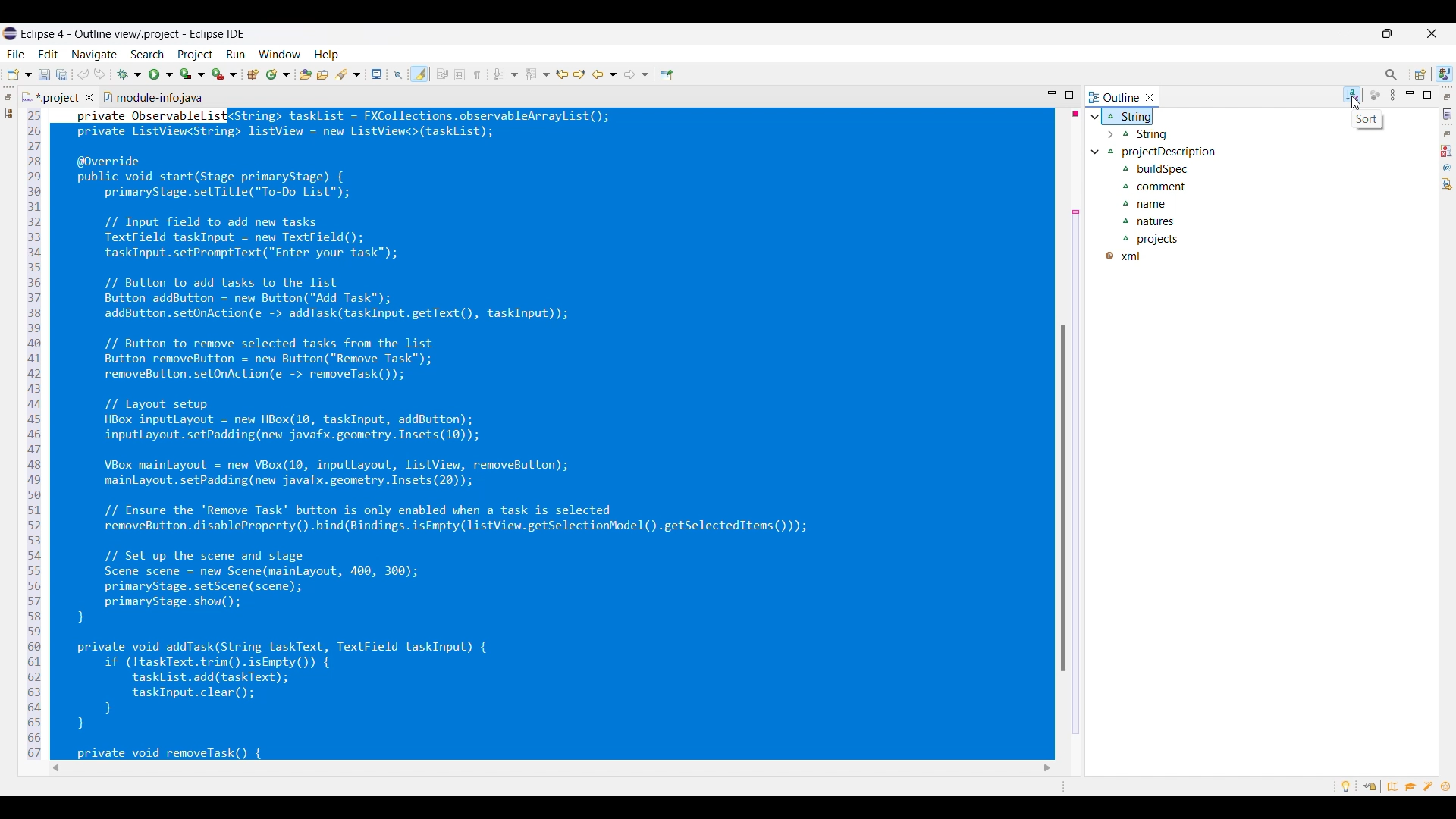 The width and height of the screenshot is (1456, 819). Describe the element at coordinates (1378, 95) in the screenshot. I see `icon` at that location.